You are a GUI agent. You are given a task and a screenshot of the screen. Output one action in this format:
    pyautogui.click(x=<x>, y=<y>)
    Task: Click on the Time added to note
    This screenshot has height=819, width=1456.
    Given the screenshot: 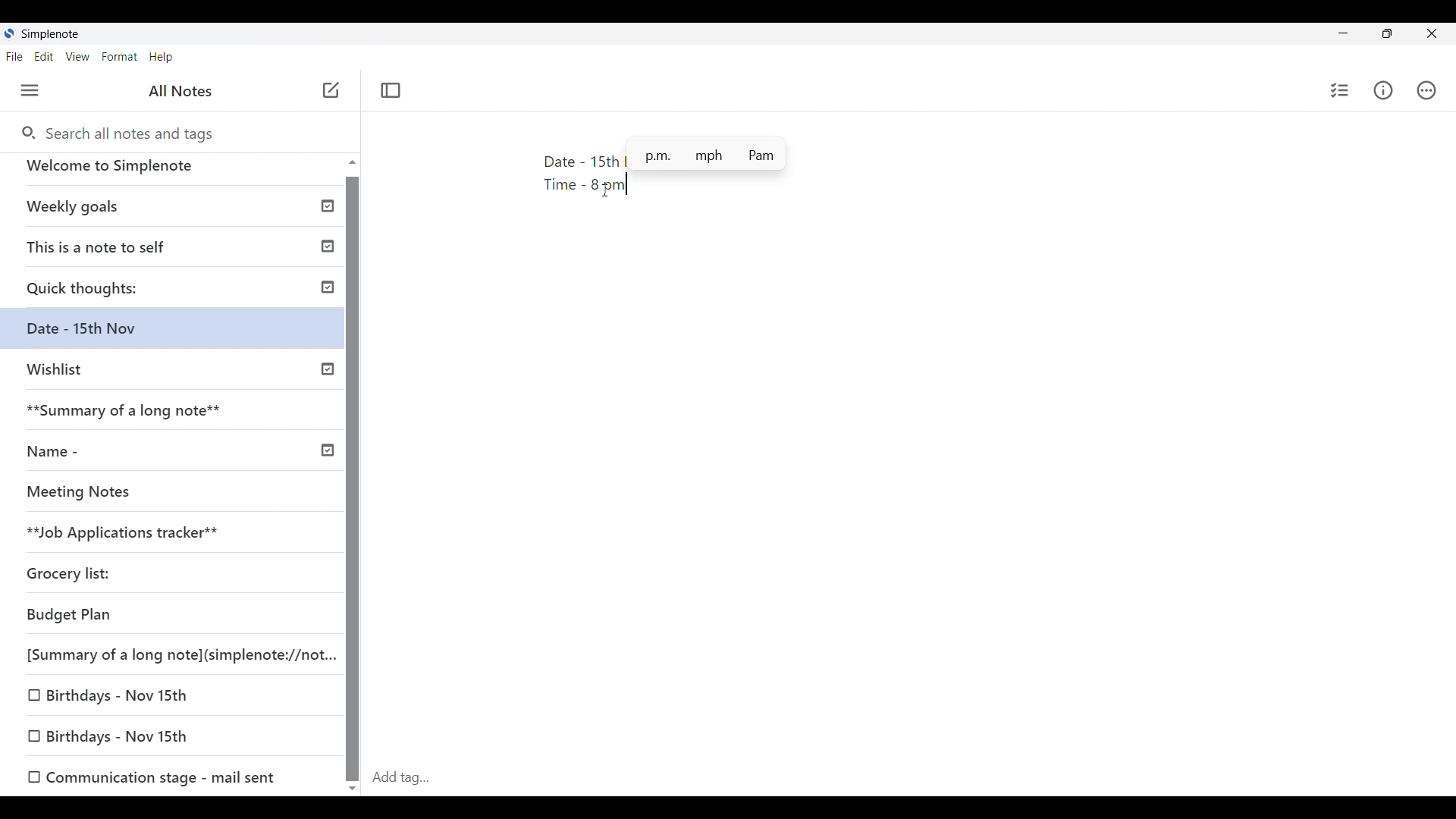 What is the action you would take?
    pyautogui.click(x=609, y=187)
    